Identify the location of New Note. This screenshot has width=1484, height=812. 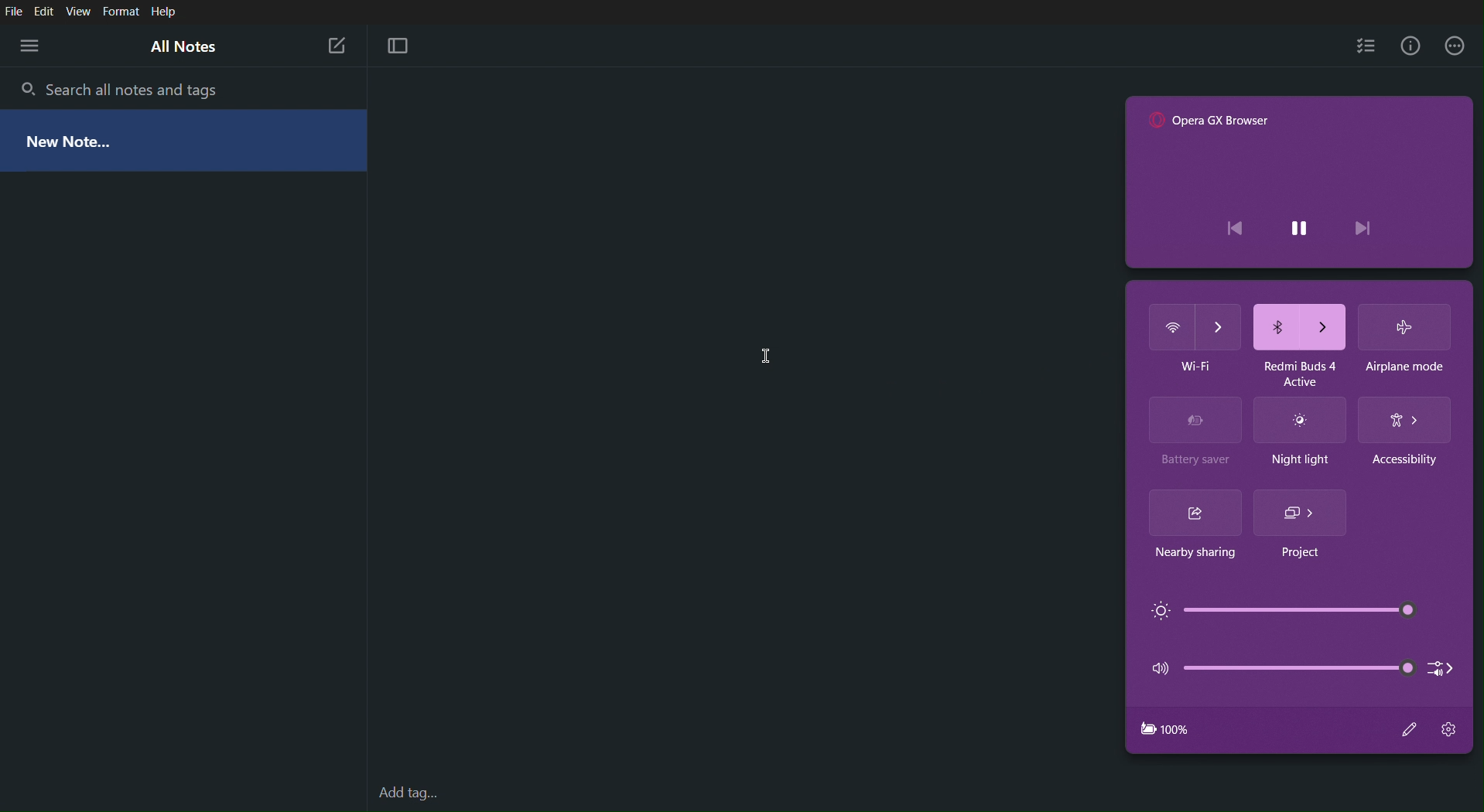
(74, 138).